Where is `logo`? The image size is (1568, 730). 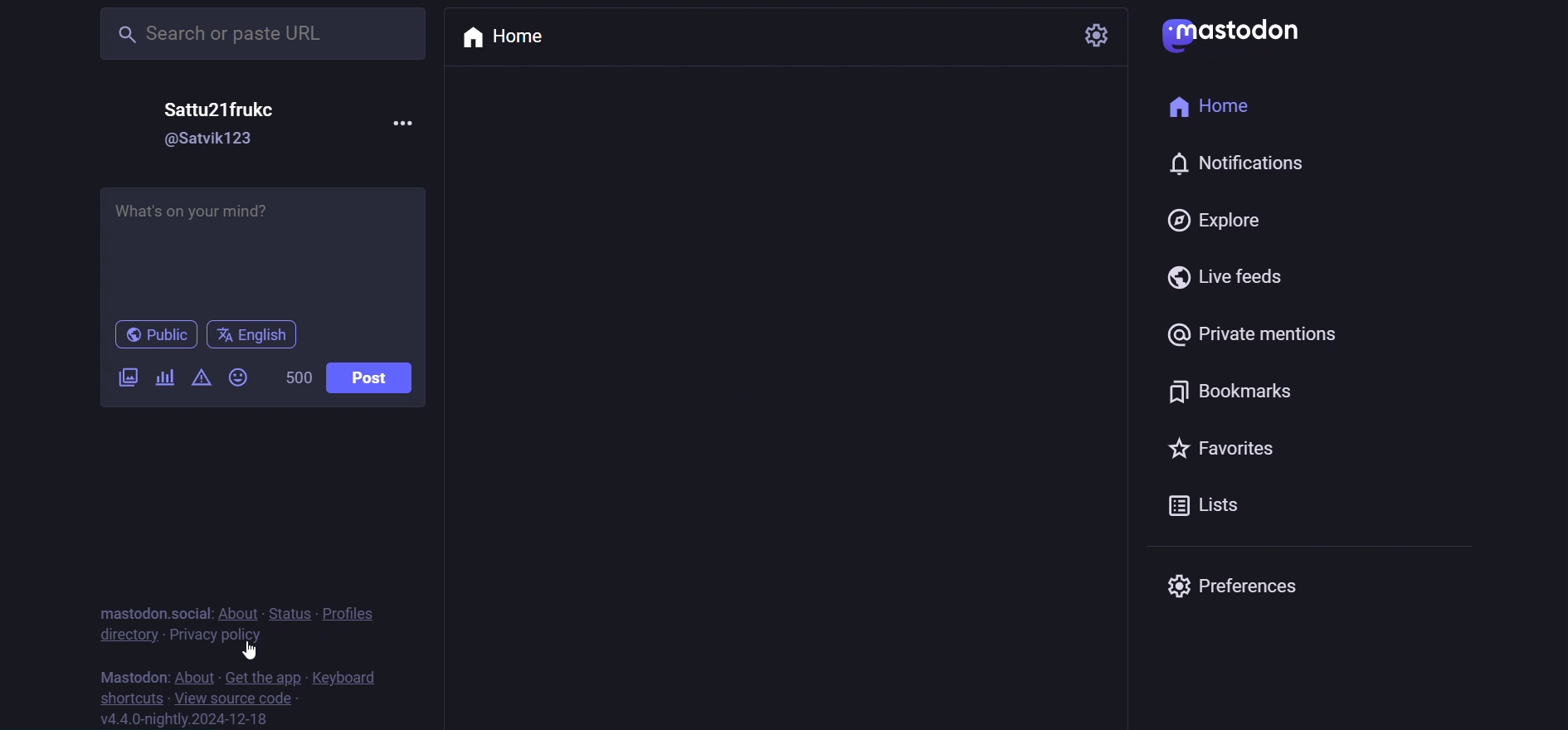
logo is located at coordinates (1244, 34).